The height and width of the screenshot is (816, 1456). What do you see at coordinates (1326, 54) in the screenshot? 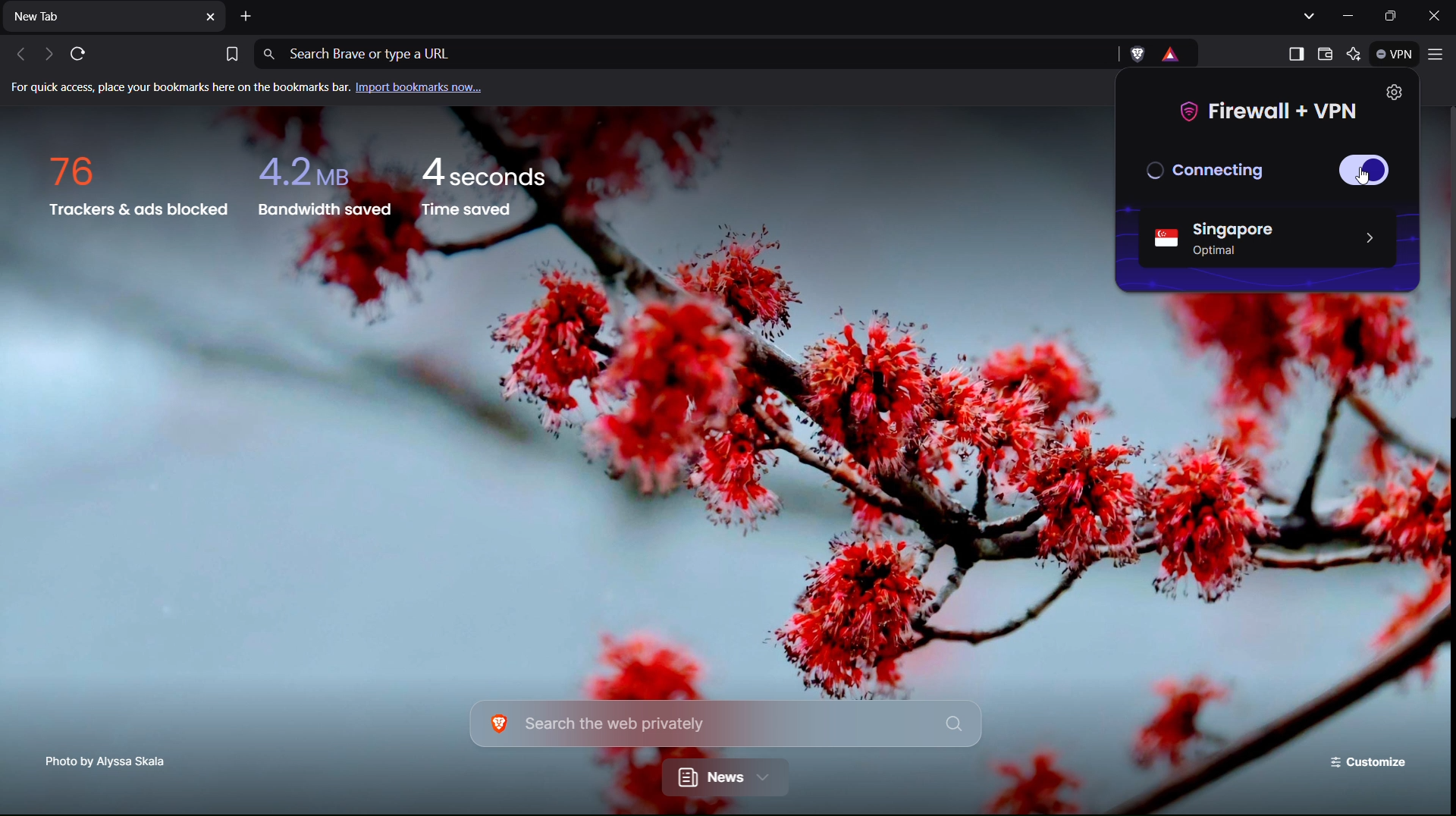
I see `Wallet` at bounding box center [1326, 54].